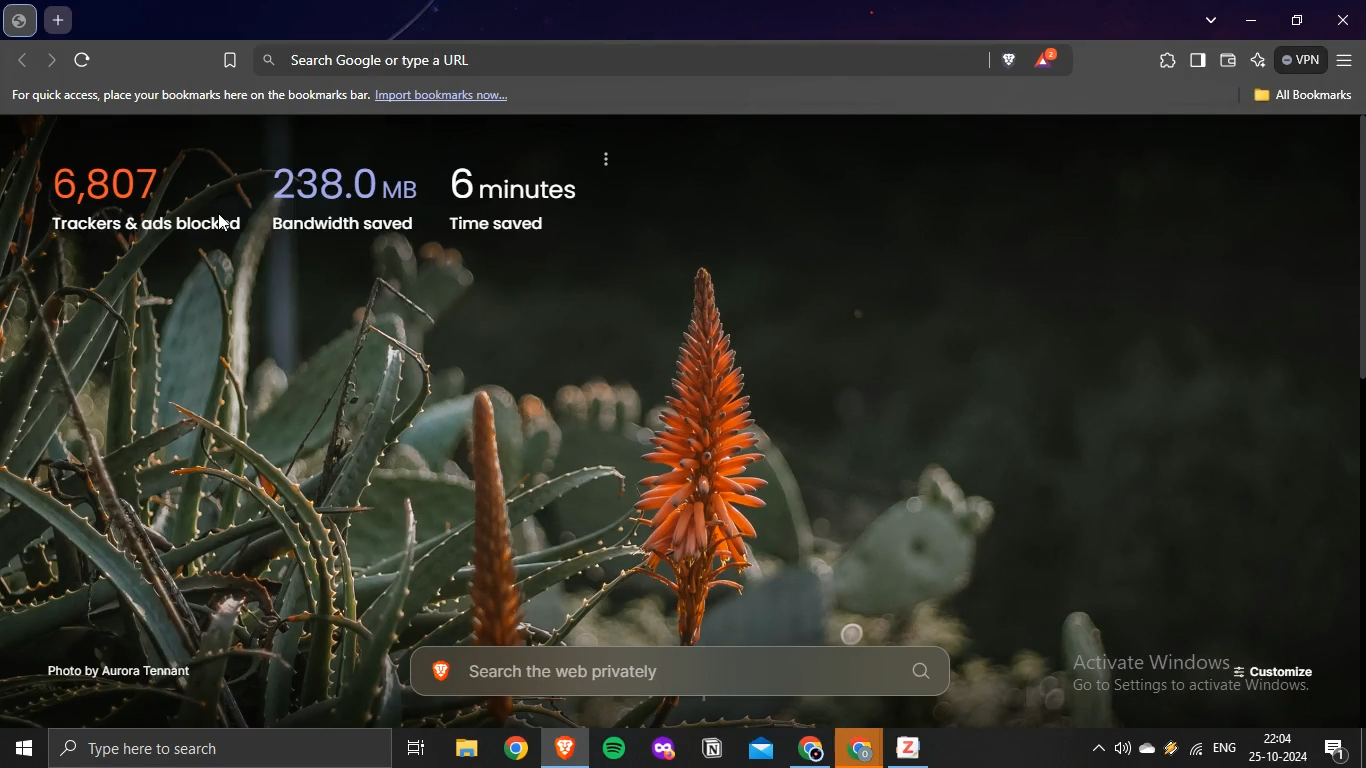 The width and height of the screenshot is (1366, 768). I want to click on brave, so click(564, 748).